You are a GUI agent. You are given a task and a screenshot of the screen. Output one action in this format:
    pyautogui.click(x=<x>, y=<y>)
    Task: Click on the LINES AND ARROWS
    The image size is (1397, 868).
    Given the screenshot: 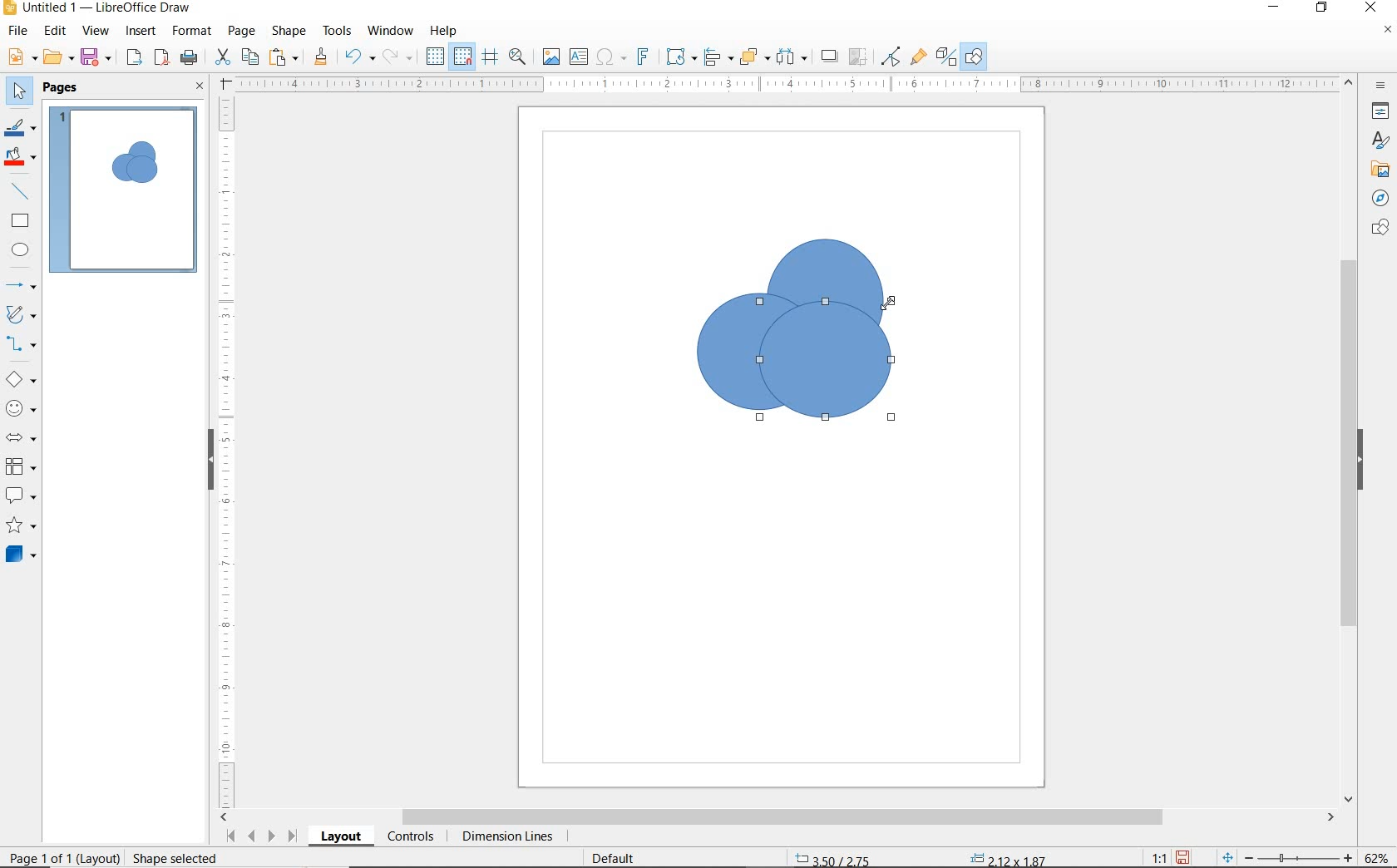 What is the action you would take?
    pyautogui.click(x=22, y=287)
    